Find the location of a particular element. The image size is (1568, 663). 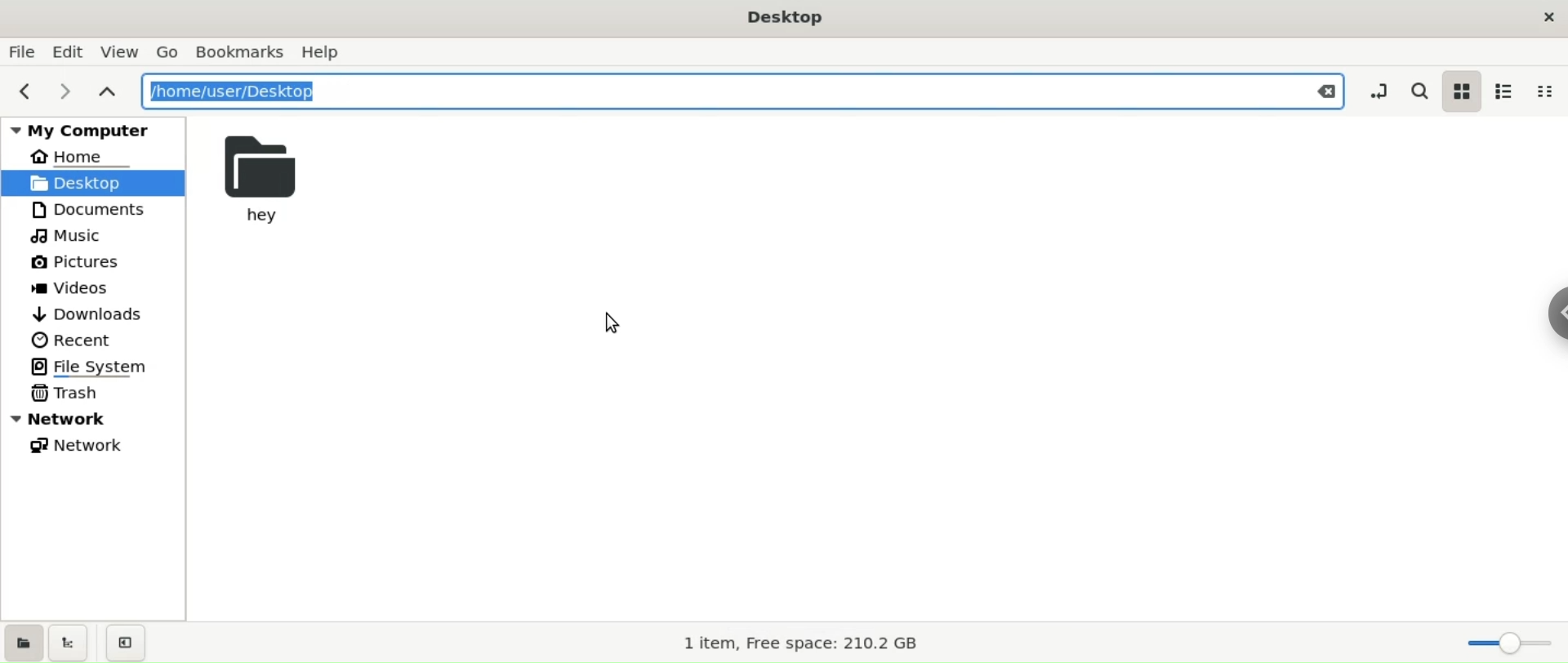

HOME  is located at coordinates (86, 157).